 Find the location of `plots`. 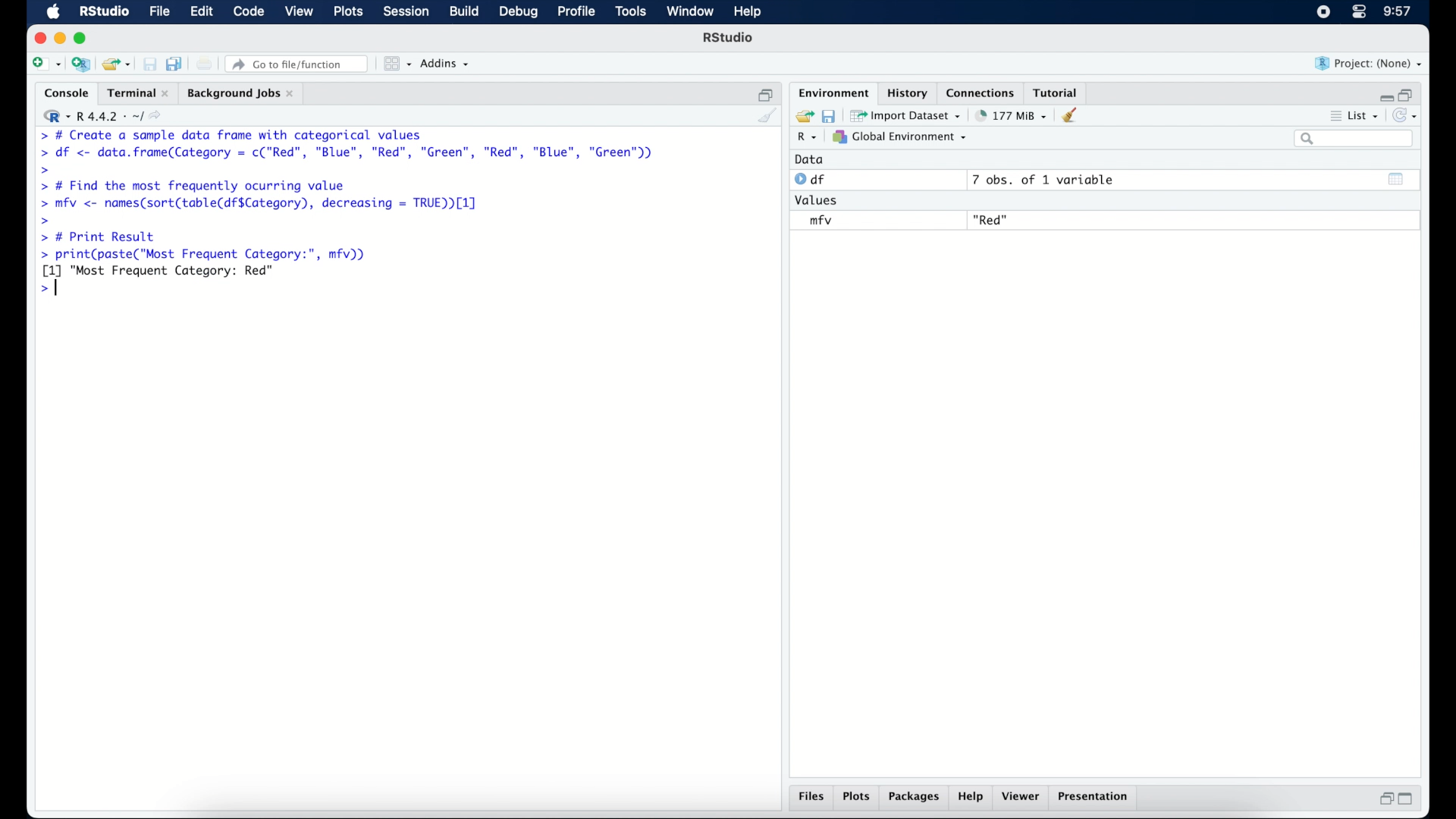

plots is located at coordinates (857, 798).